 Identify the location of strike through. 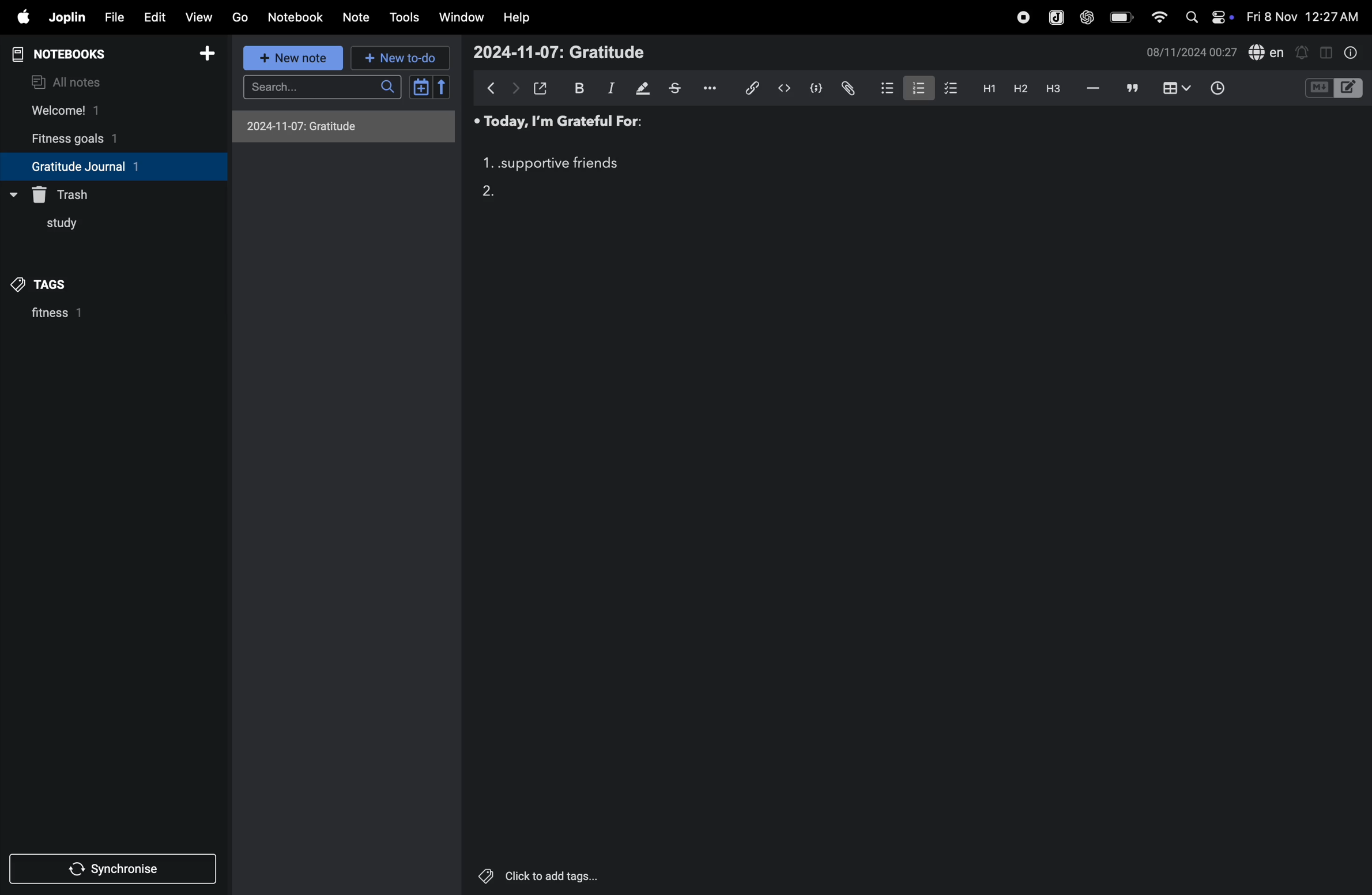
(680, 89).